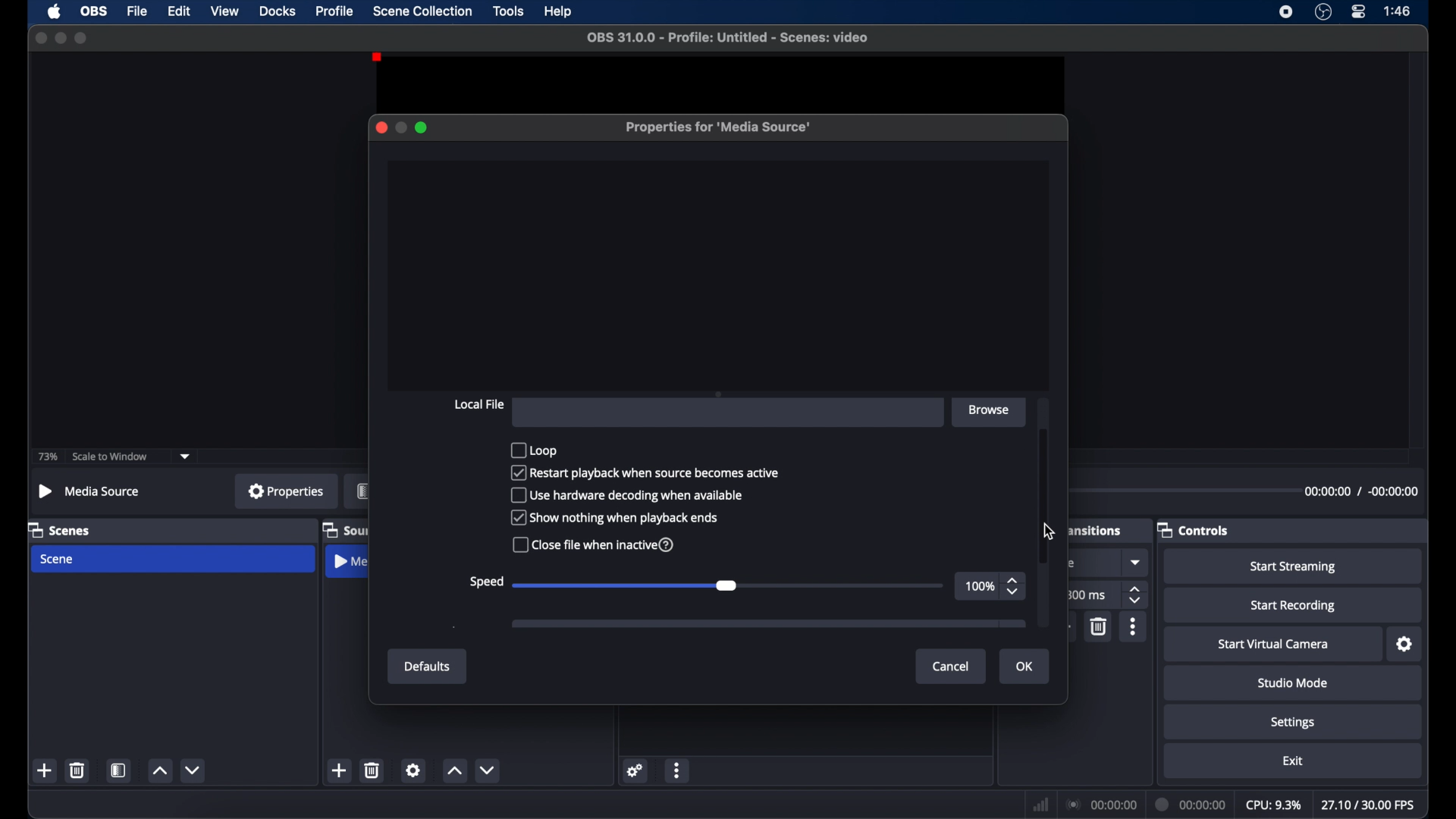  I want to click on 100%, so click(980, 585).